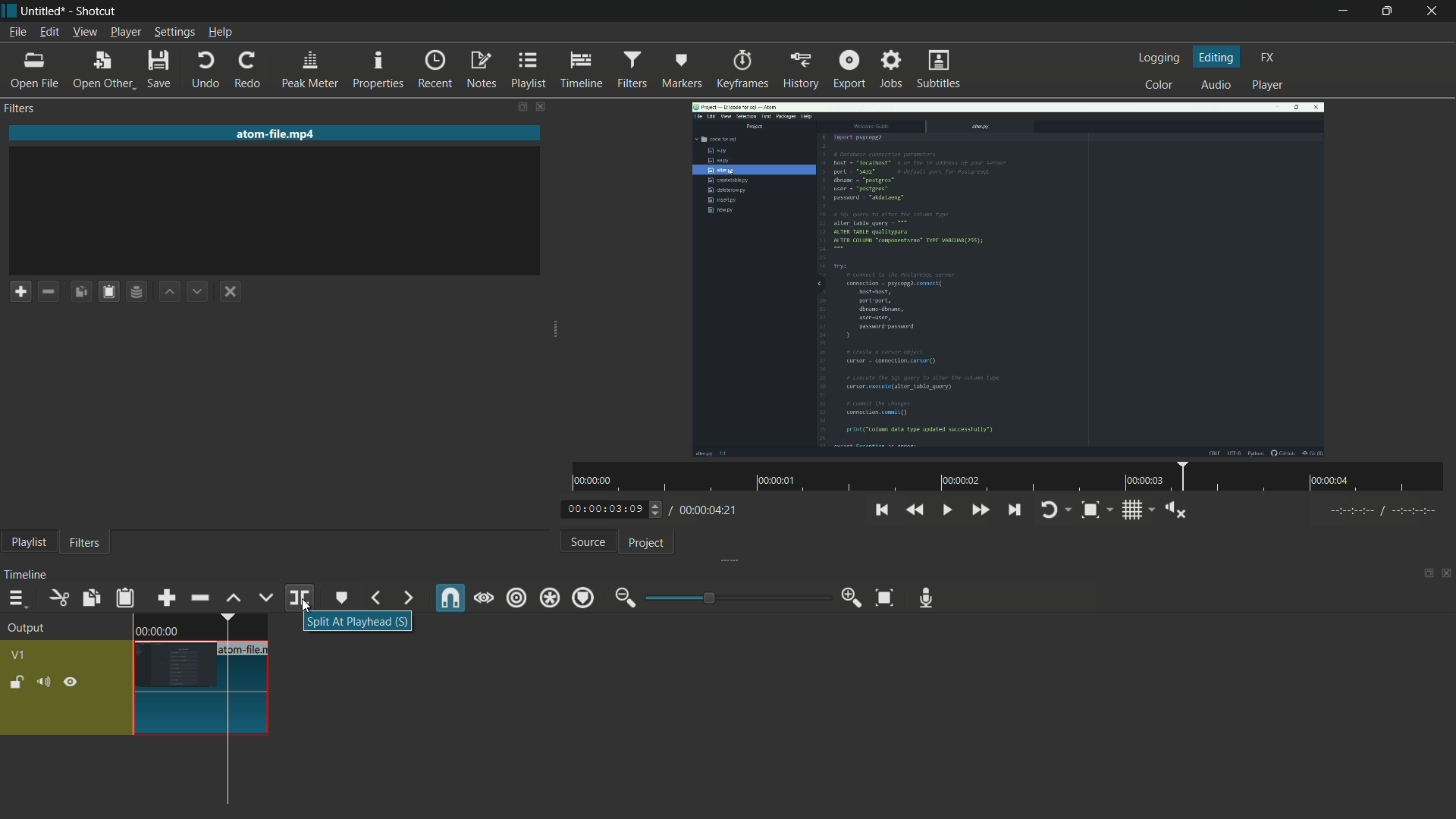  Describe the element at coordinates (850, 600) in the screenshot. I see `zoom in` at that location.